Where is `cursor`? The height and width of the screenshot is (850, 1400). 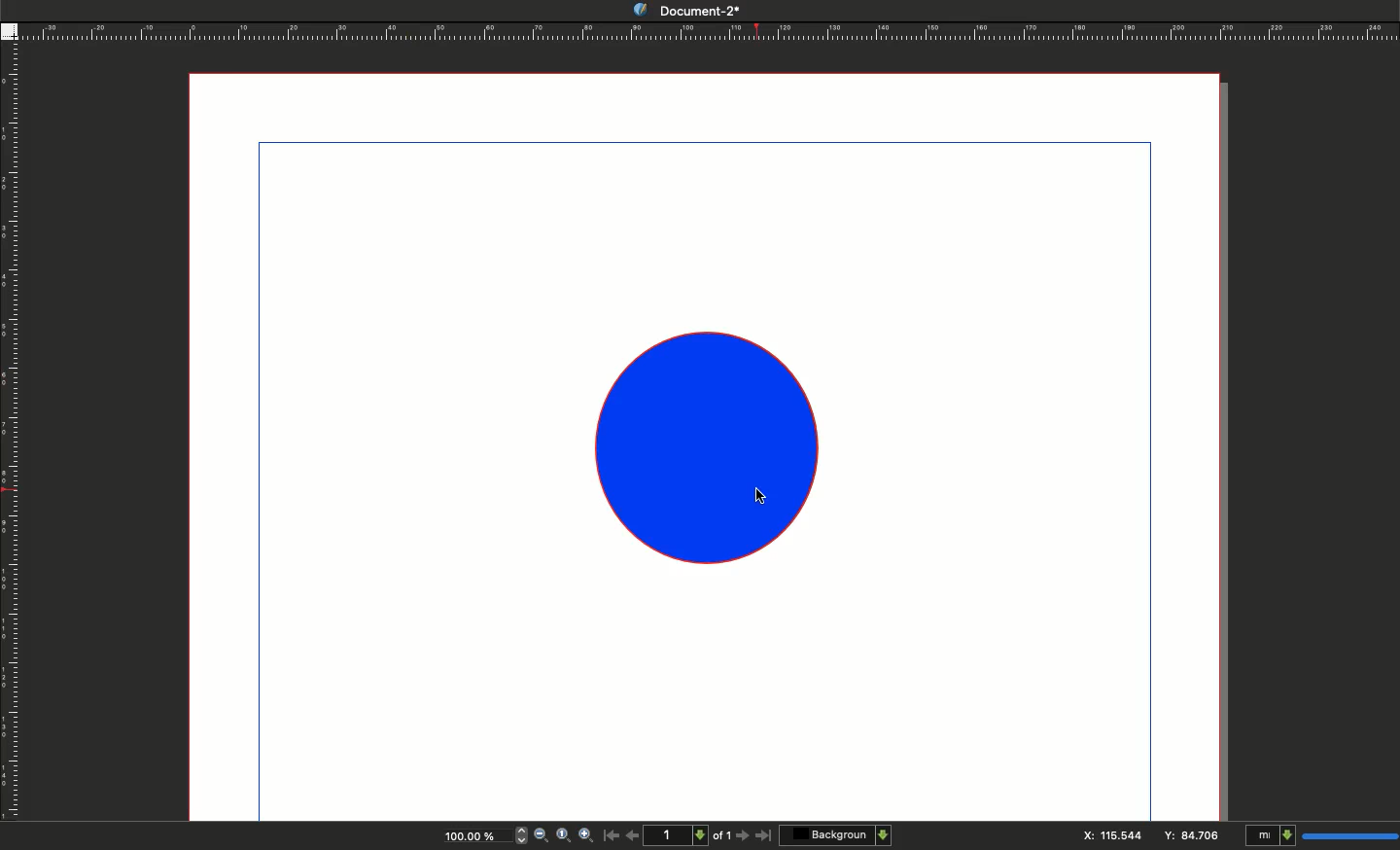 cursor is located at coordinates (761, 492).